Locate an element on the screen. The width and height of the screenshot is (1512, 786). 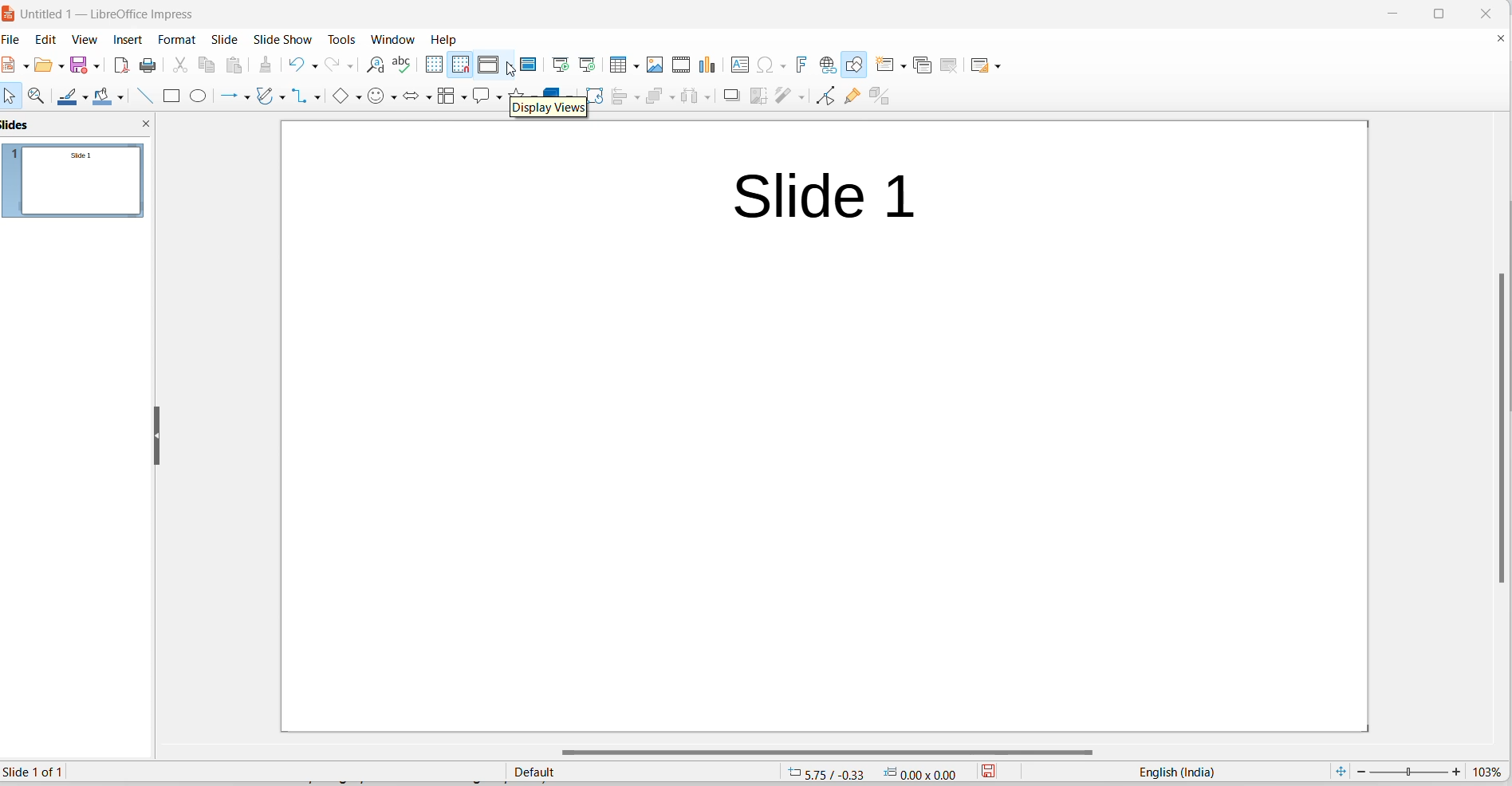
master slide is located at coordinates (532, 64).